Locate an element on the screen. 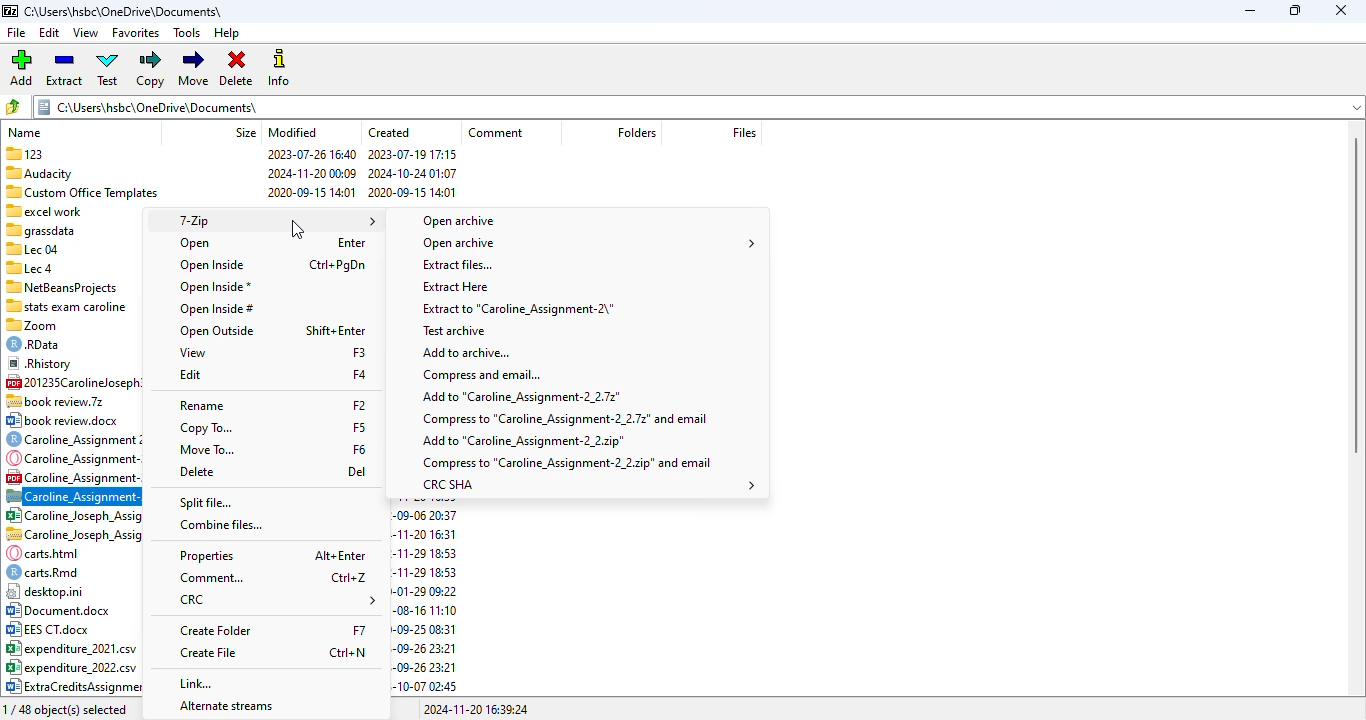  extract here is located at coordinates (456, 287).